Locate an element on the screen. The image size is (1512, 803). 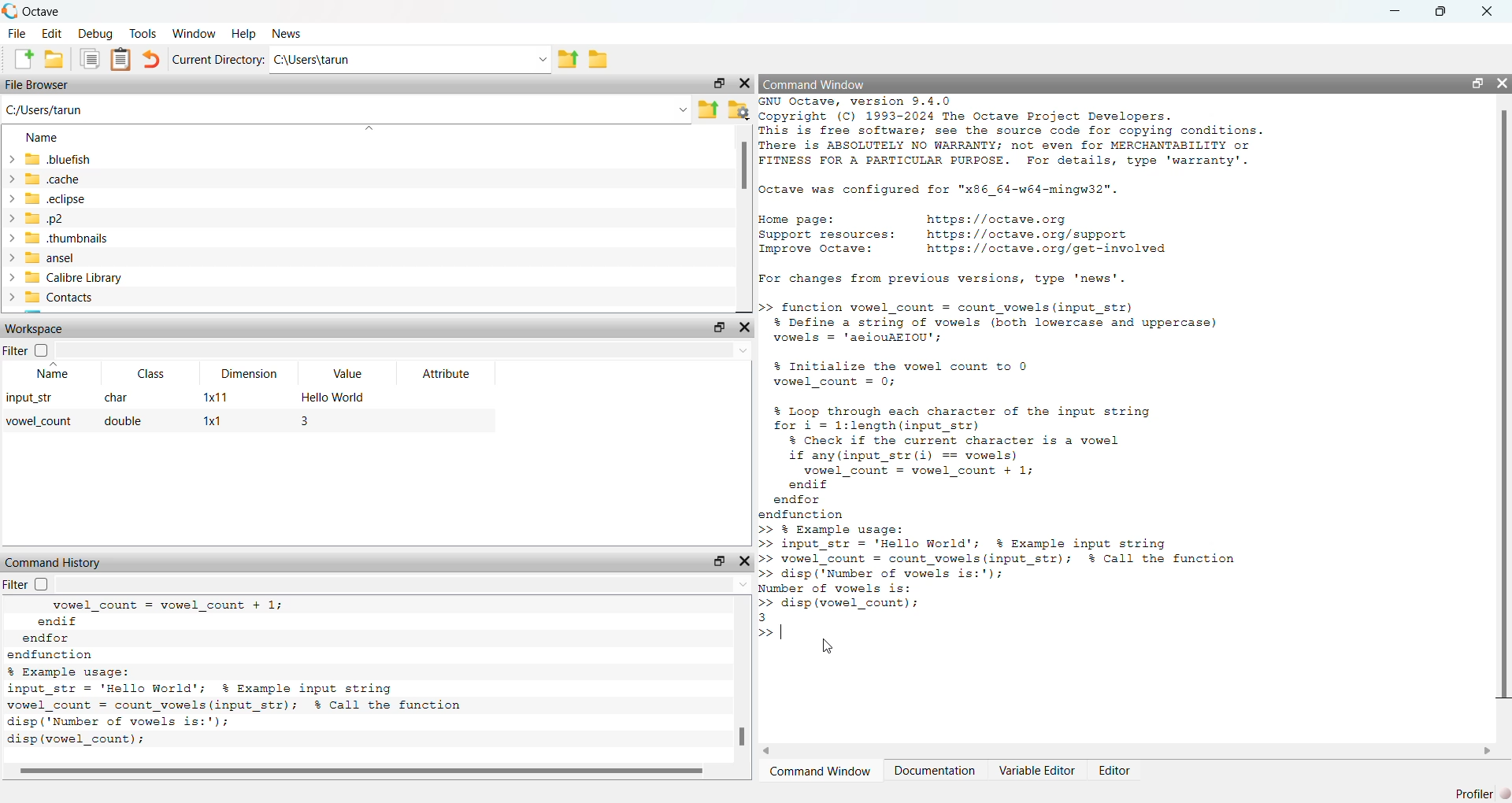
Name is located at coordinates (53, 372).